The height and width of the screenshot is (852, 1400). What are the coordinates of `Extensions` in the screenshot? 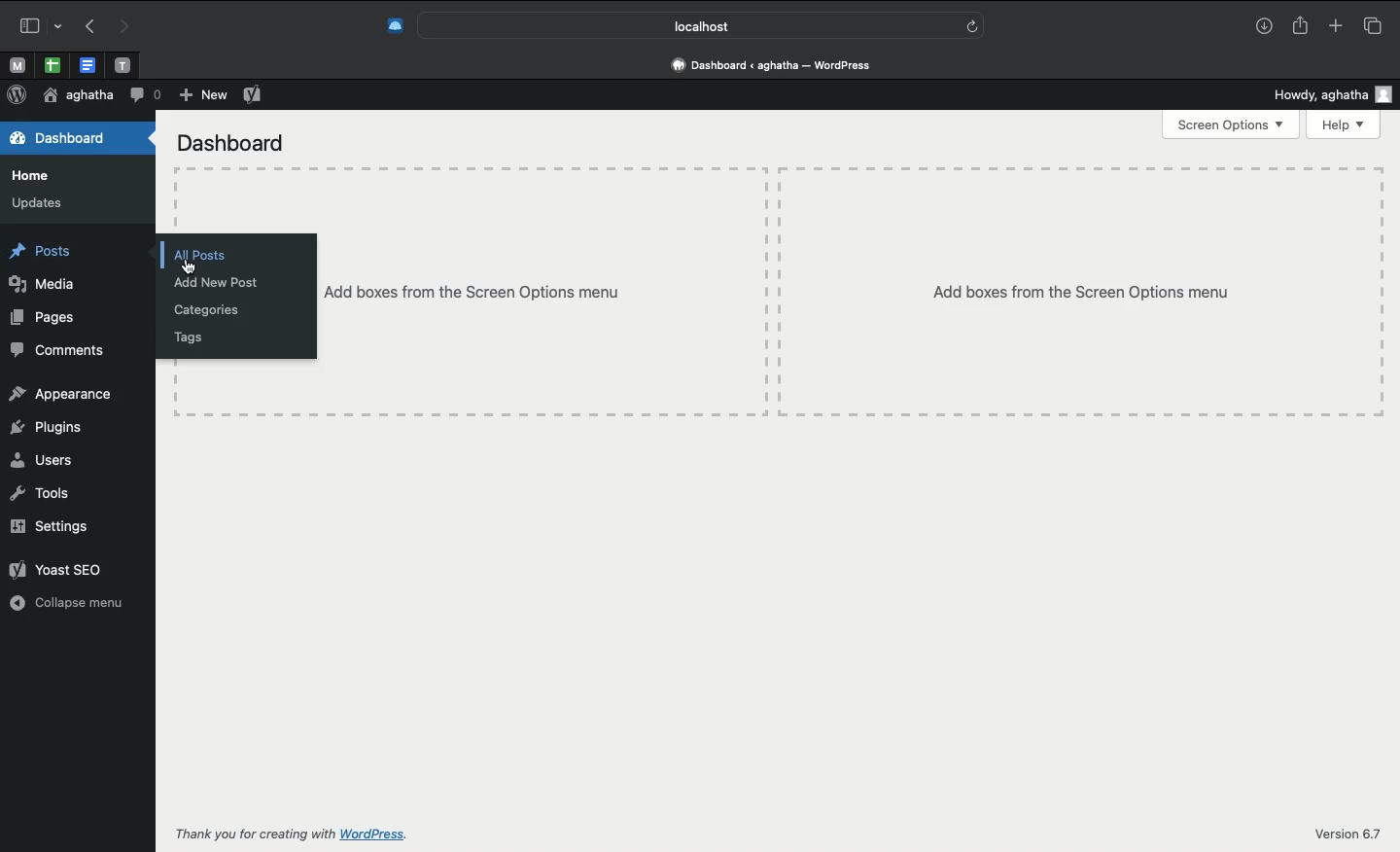 It's located at (394, 23).